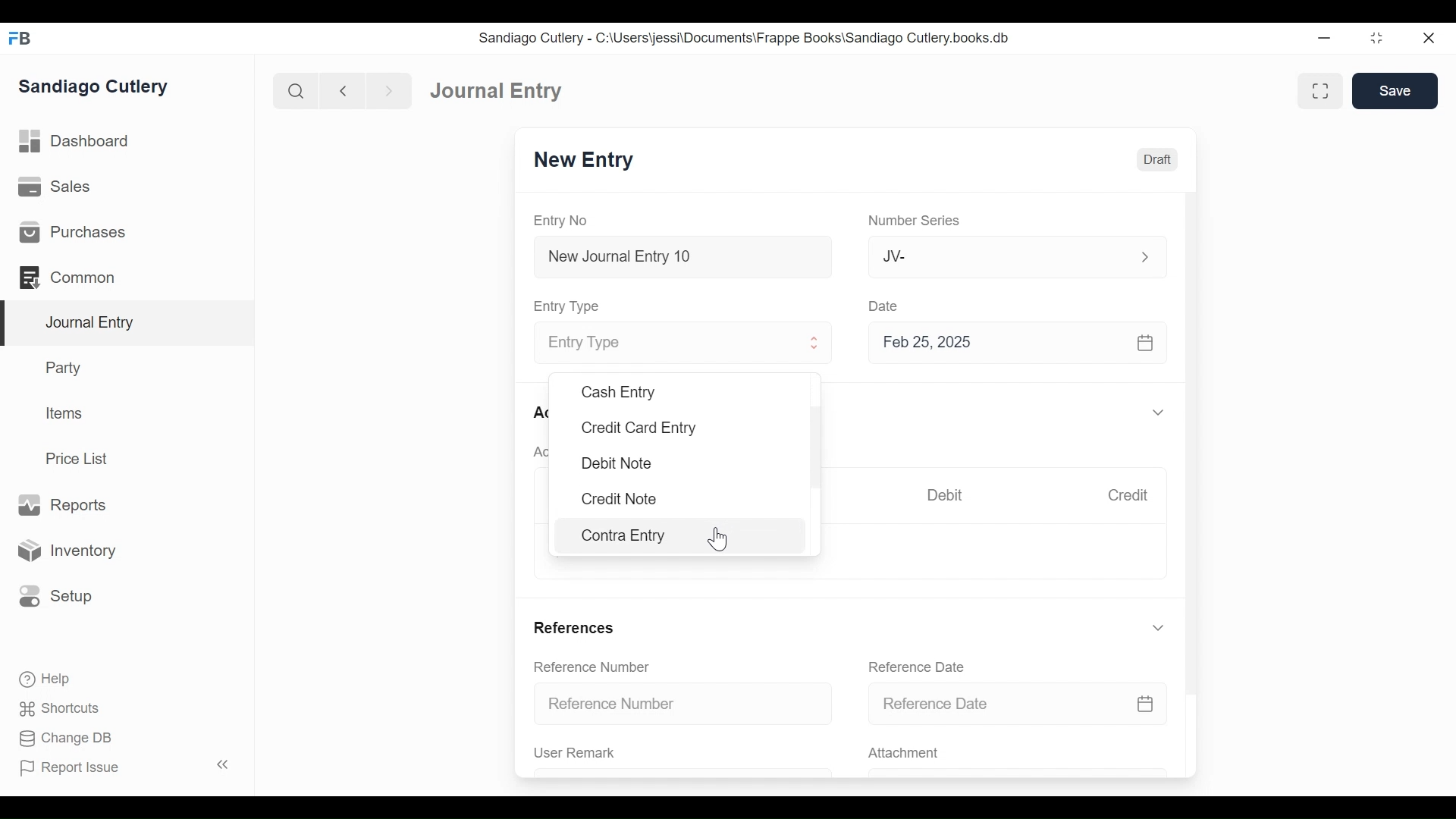 The width and height of the screenshot is (1456, 819). I want to click on Sales, so click(53, 188).